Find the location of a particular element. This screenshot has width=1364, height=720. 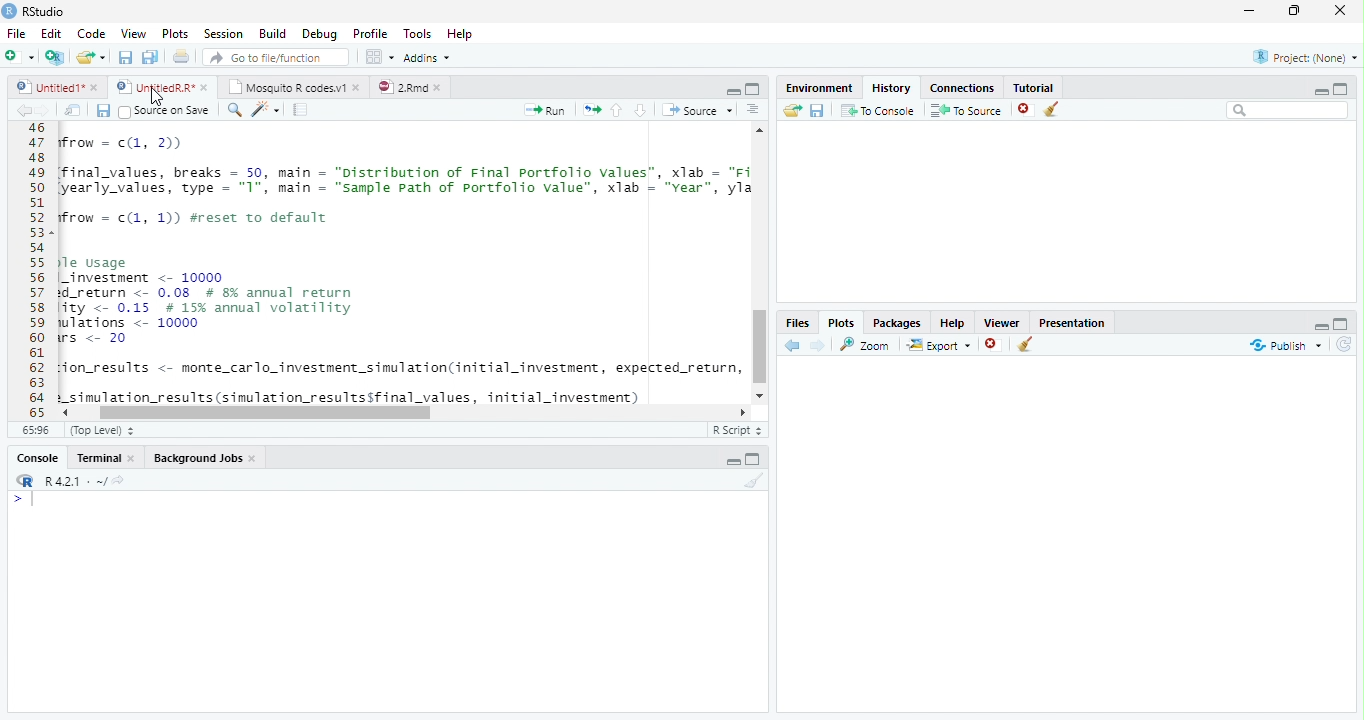

History is located at coordinates (890, 86).